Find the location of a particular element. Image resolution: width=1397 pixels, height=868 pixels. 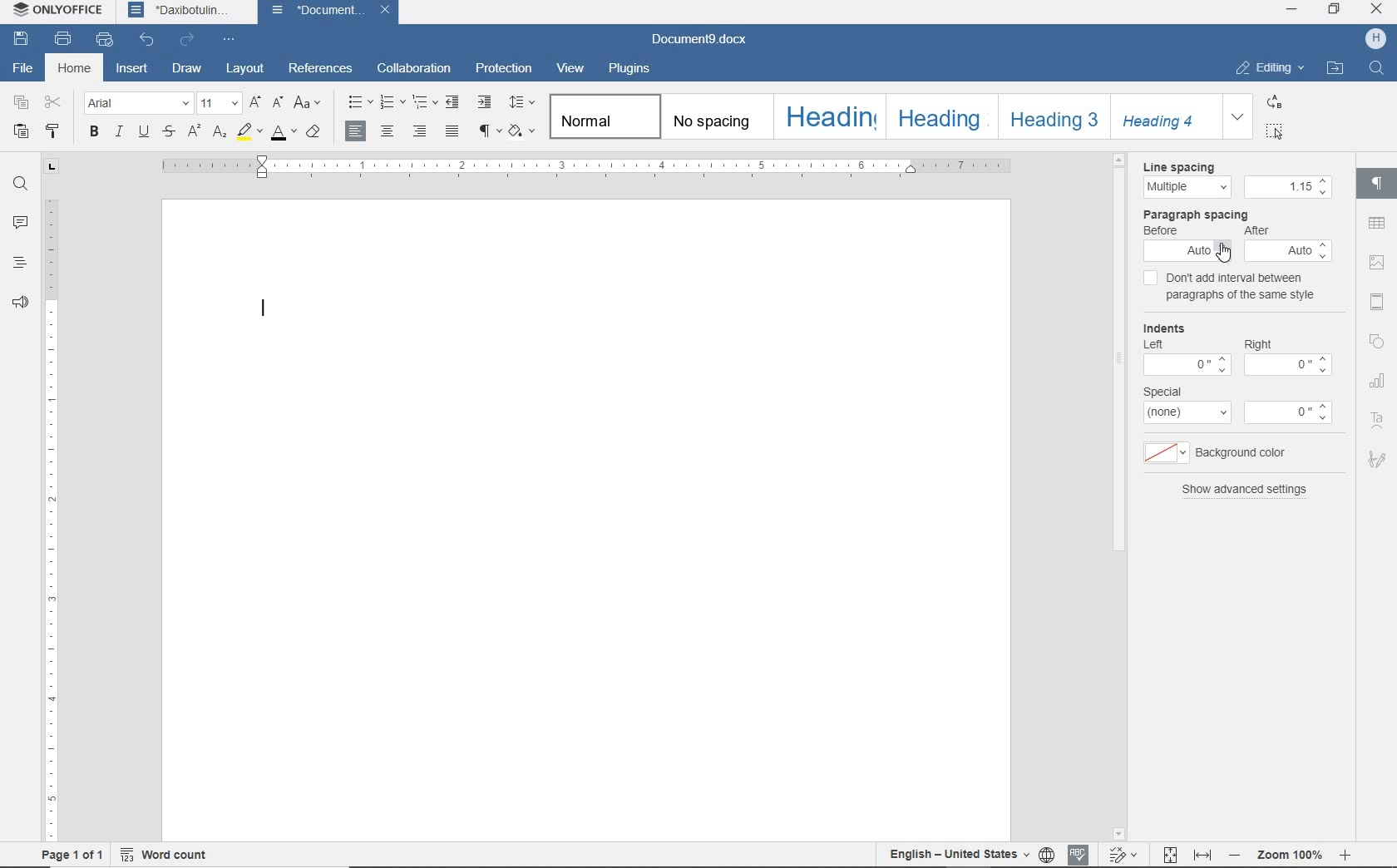

paragraph spacing is located at coordinates (1195, 215).